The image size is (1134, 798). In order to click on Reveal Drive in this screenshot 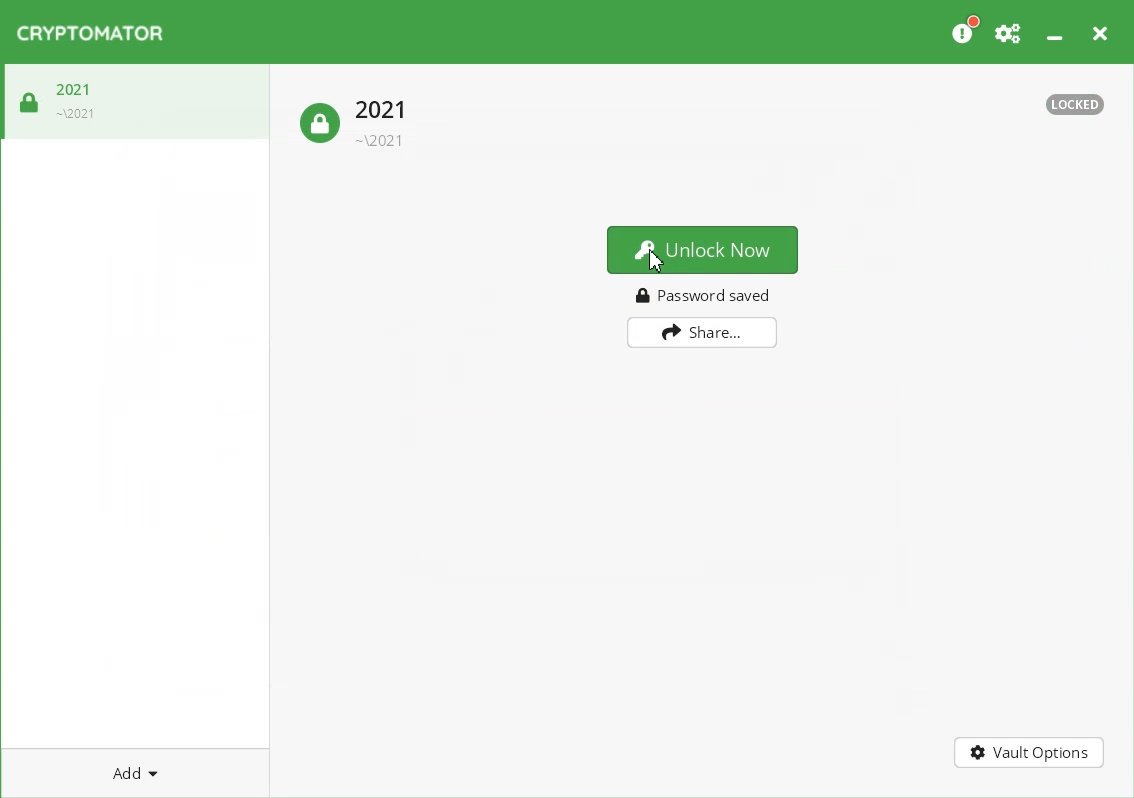, I will do `click(702, 333)`.